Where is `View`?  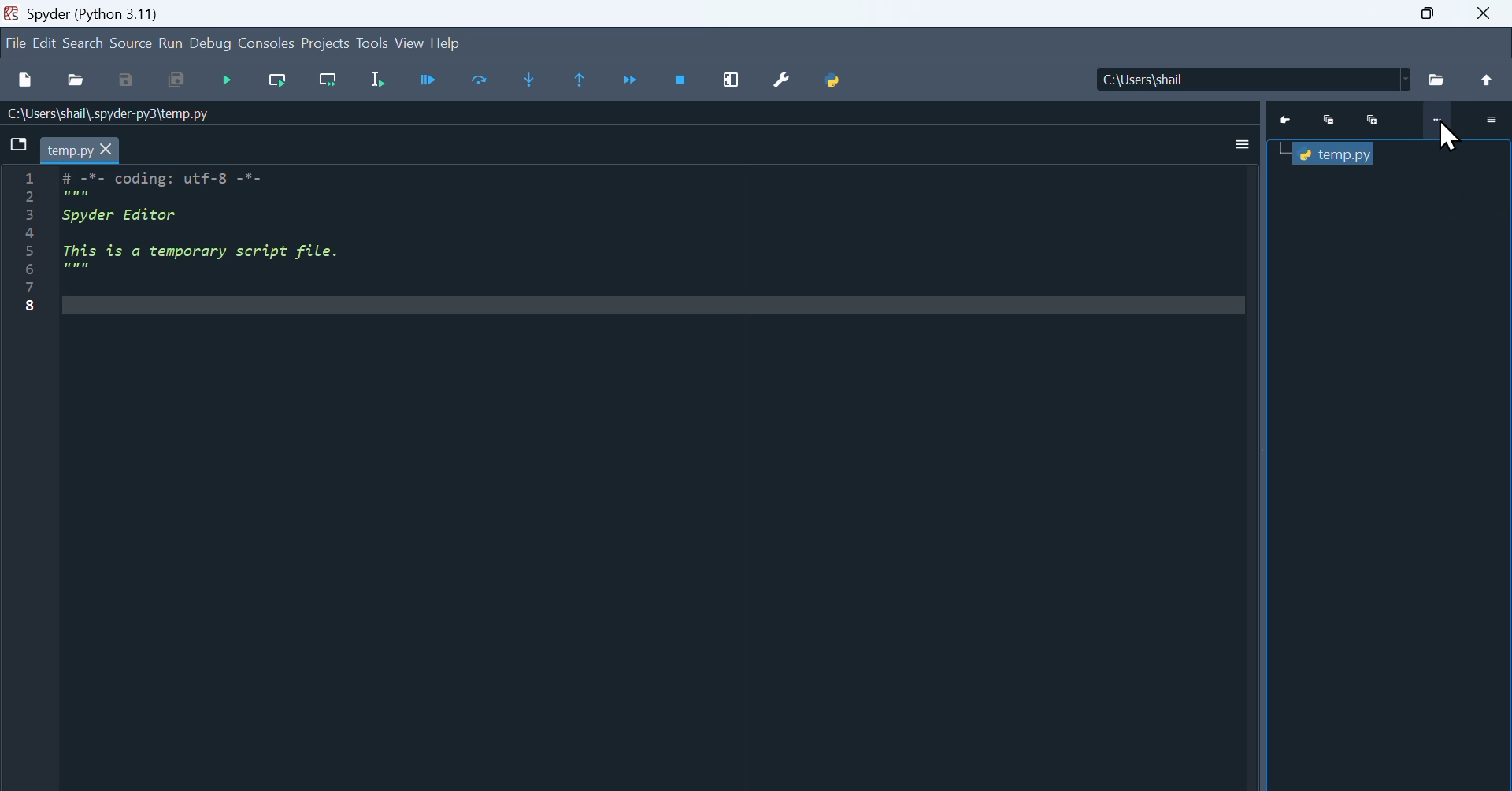
View is located at coordinates (409, 43).